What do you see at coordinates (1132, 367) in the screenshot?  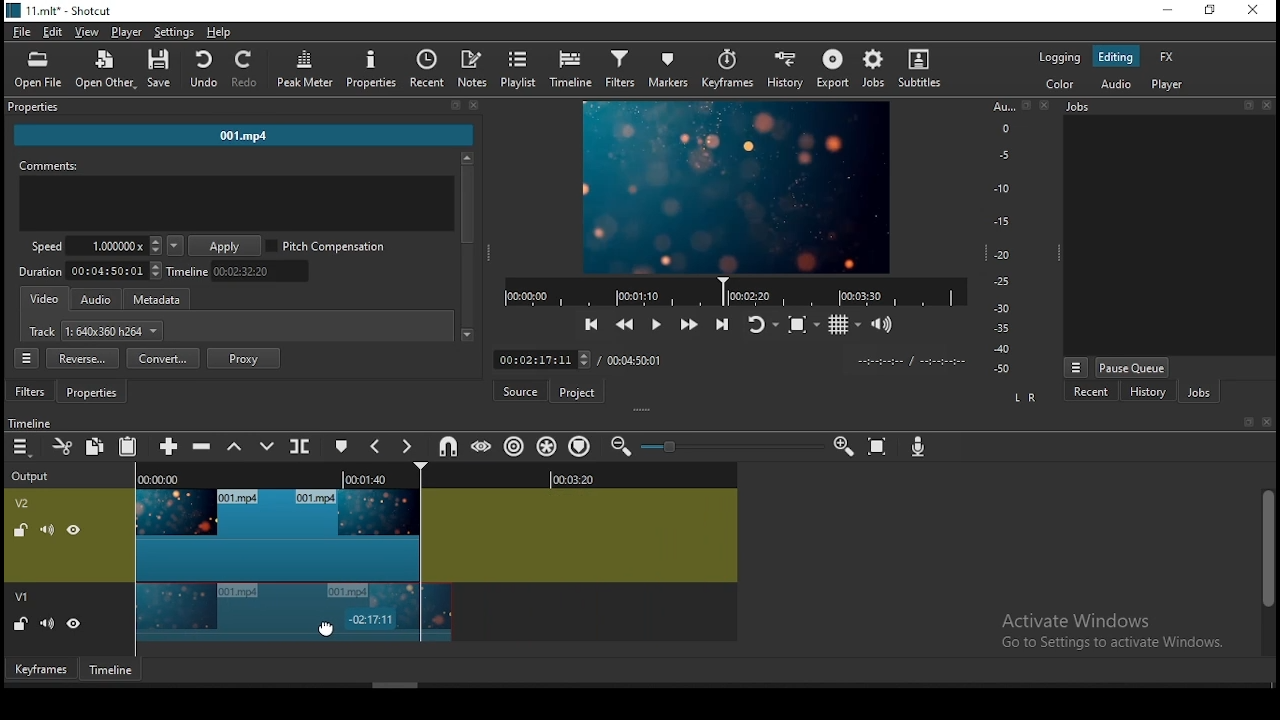 I see `pause queue` at bounding box center [1132, 367].